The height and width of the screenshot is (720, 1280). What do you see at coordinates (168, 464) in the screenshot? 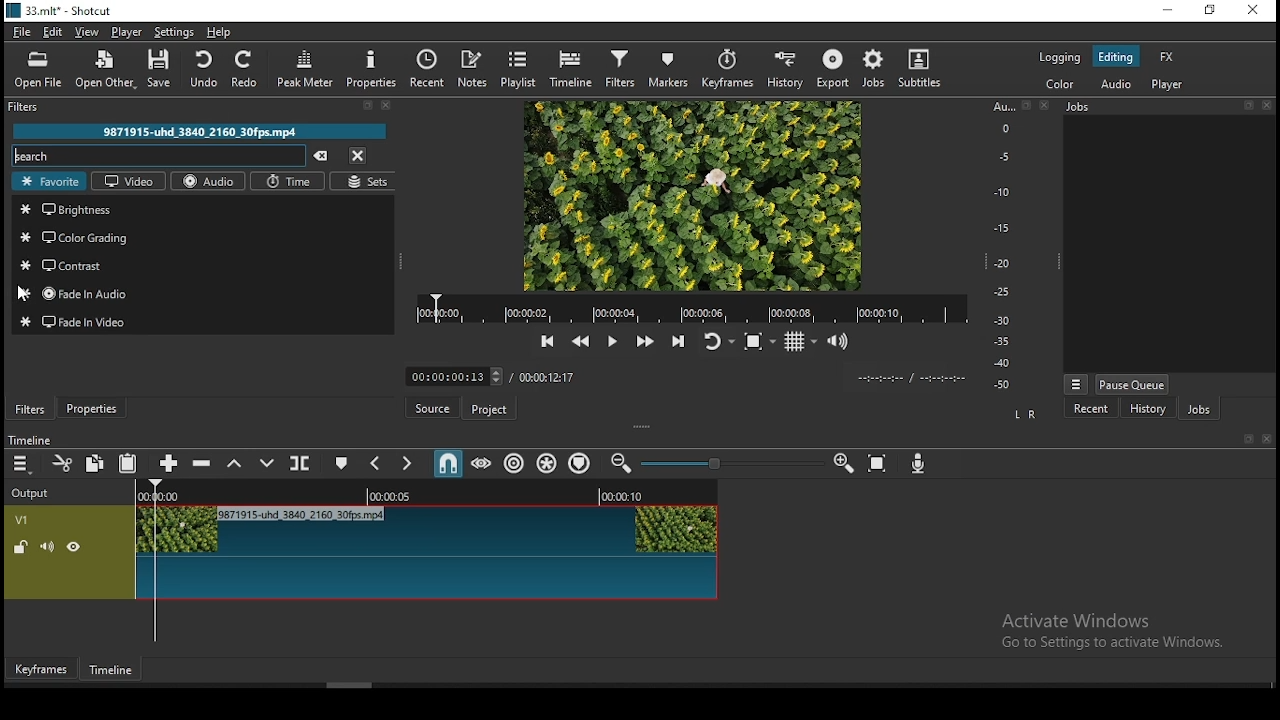
I see `append` at bounding box center [168, 464].